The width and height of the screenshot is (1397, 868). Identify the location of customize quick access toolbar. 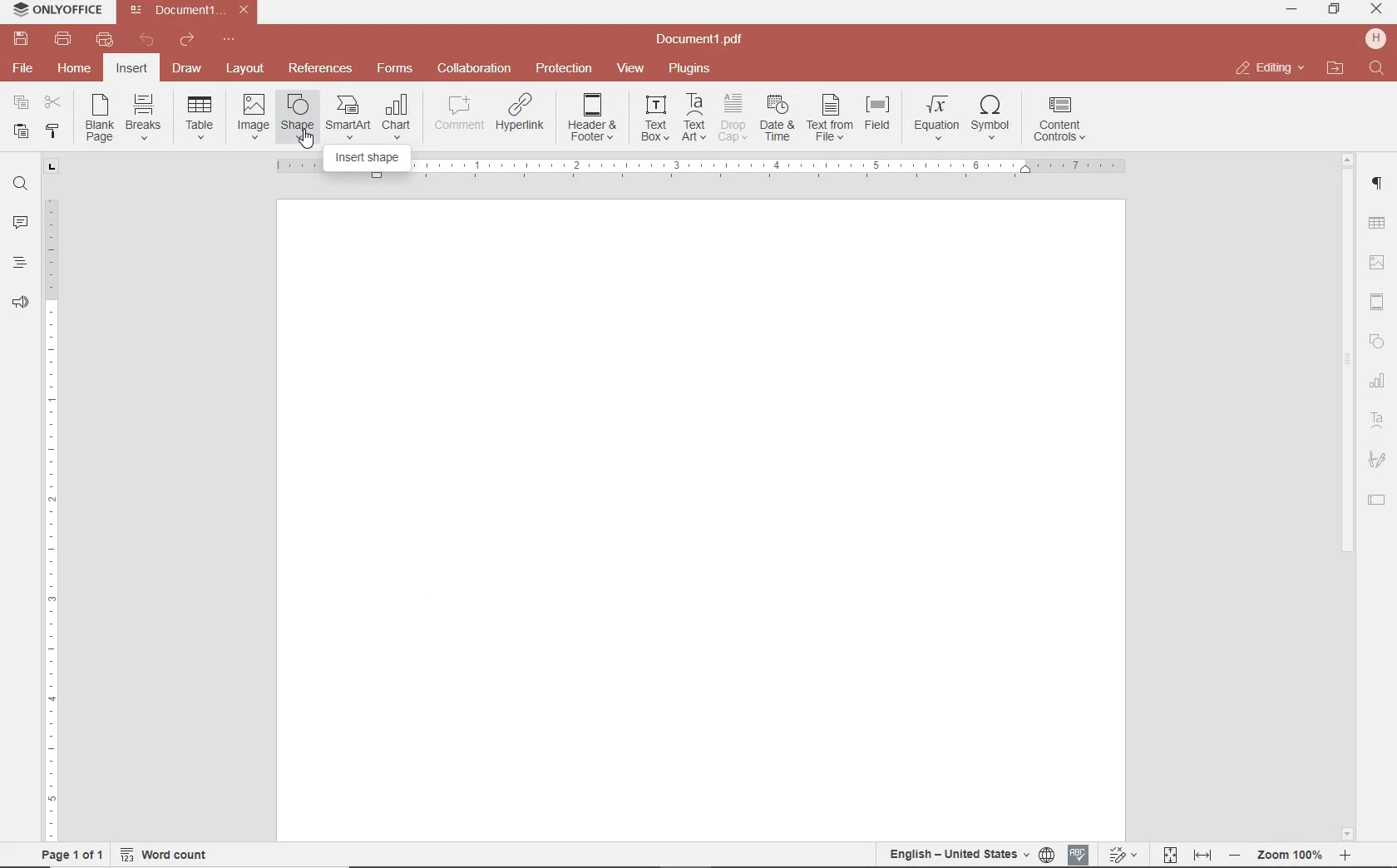
(229, 40).